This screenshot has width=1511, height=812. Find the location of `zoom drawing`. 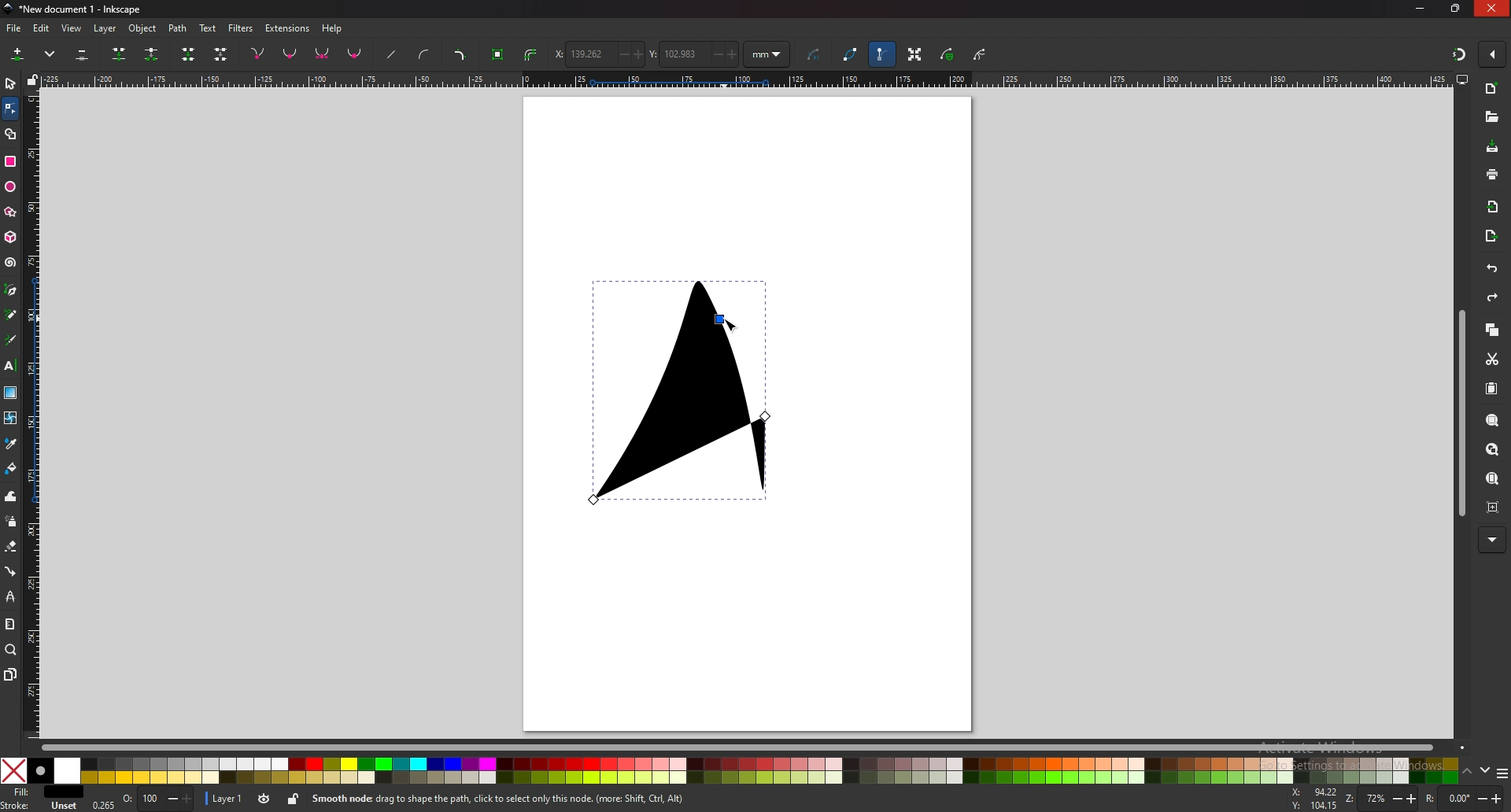

zoom drawing is located at coordinates (1494, 450).